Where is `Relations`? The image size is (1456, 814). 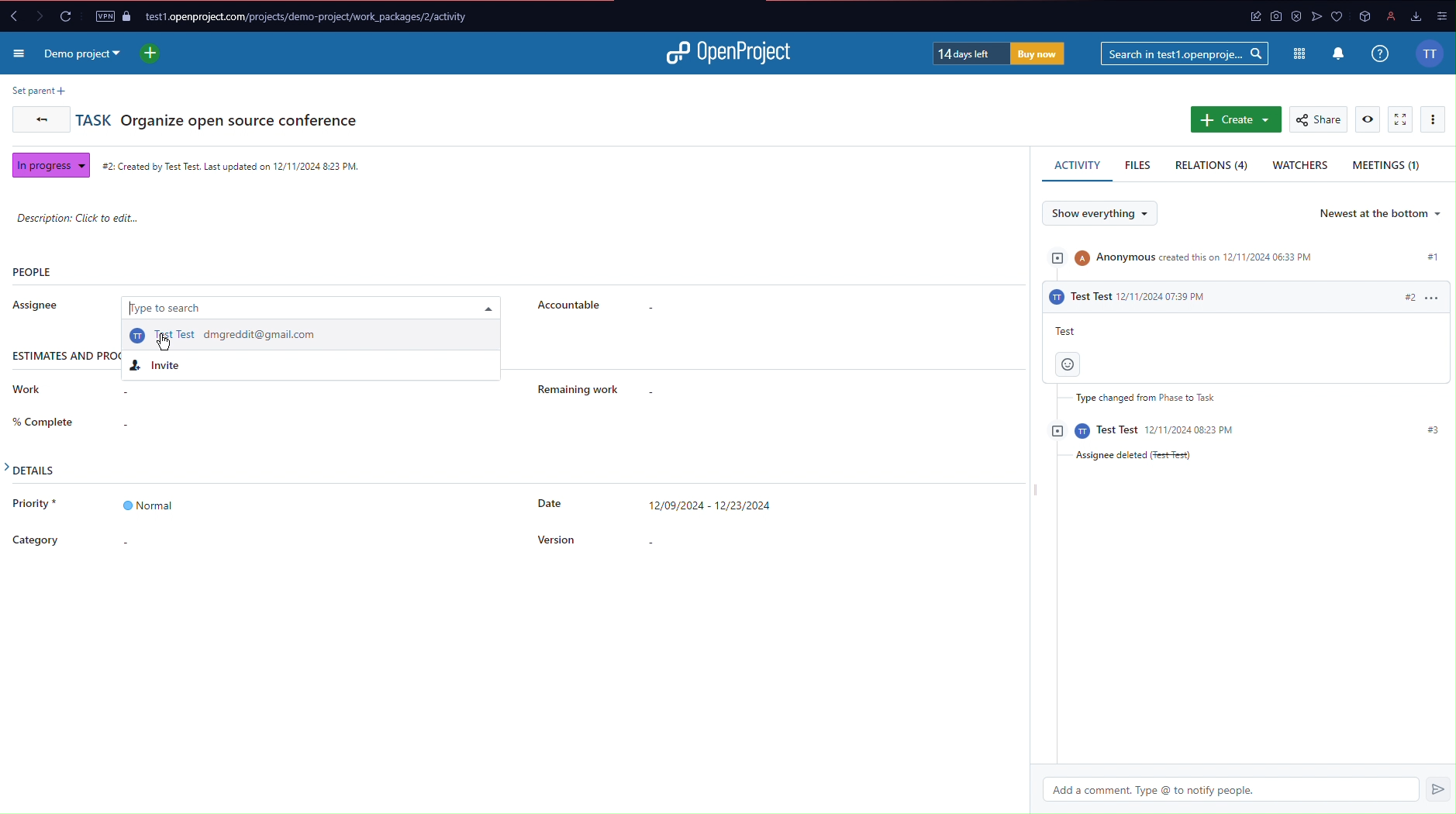
Relations is located at coordinates (1212, 167).